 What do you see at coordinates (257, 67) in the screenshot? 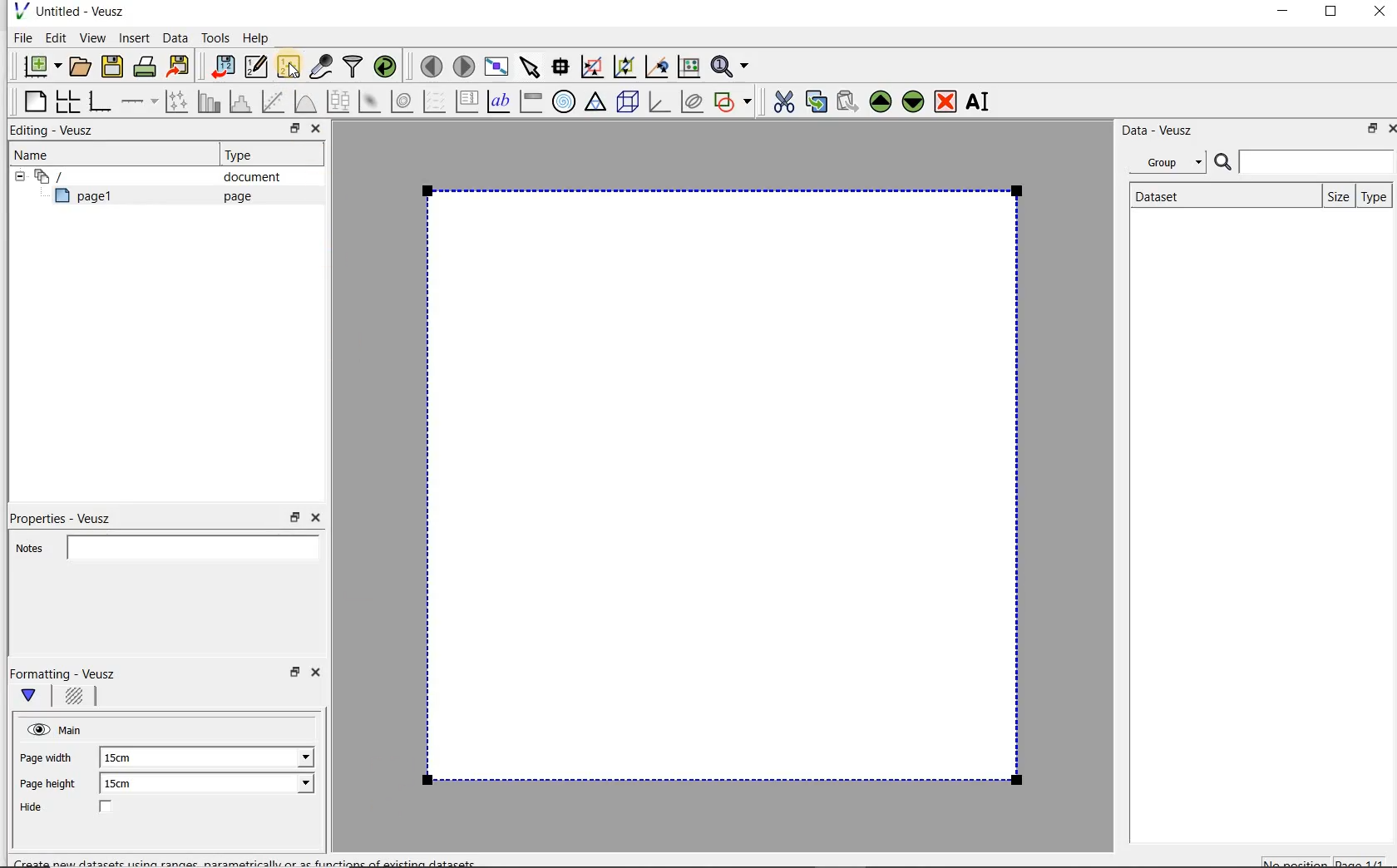
I see `Edit and enter new datasets` at bounding box center [257, 67].